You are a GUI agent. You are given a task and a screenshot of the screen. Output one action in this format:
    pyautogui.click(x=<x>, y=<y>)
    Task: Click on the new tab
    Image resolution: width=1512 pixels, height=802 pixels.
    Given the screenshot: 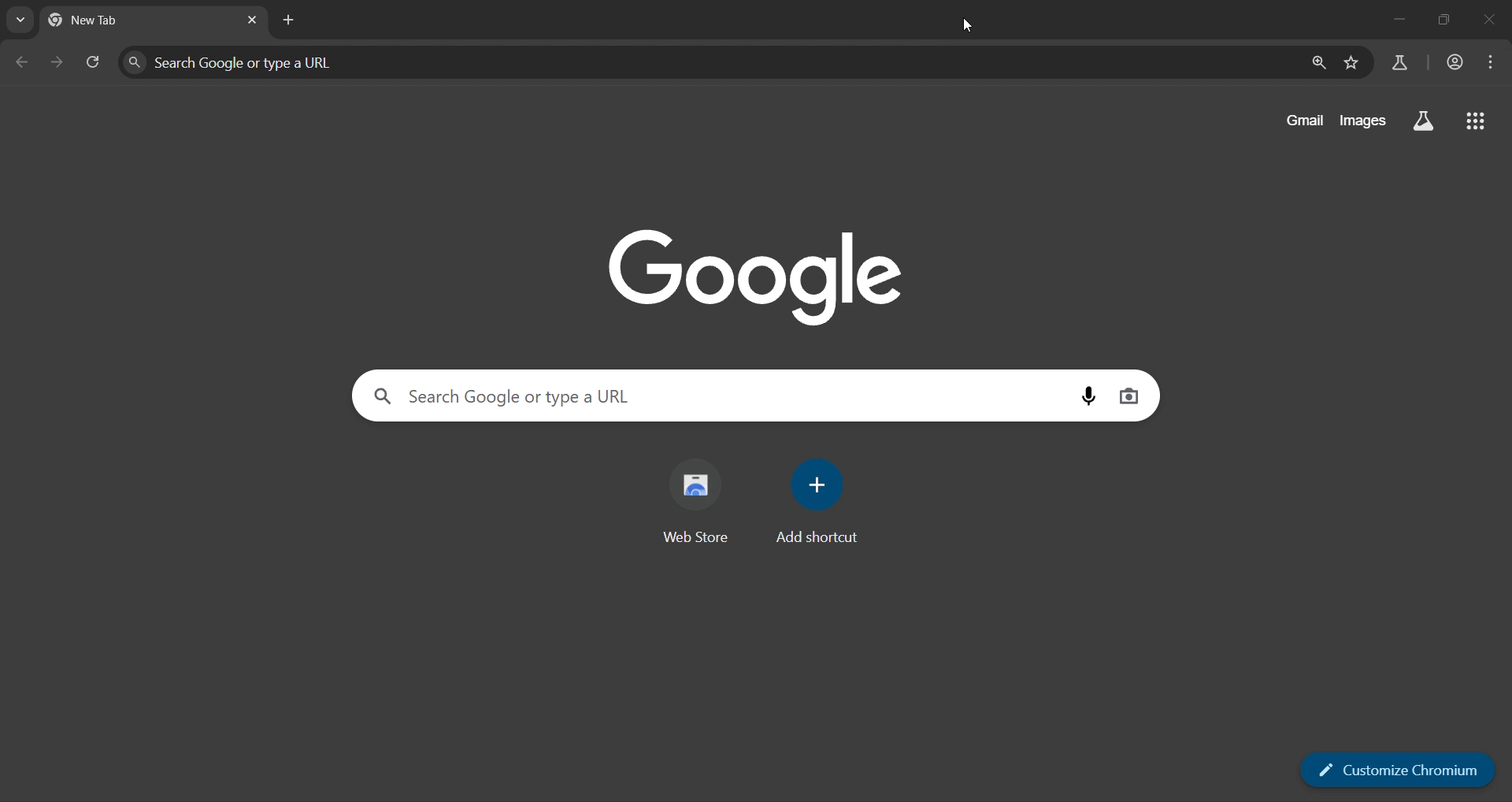 What is the action you would take?
    pyautogui.click(x=106, y=18)
    